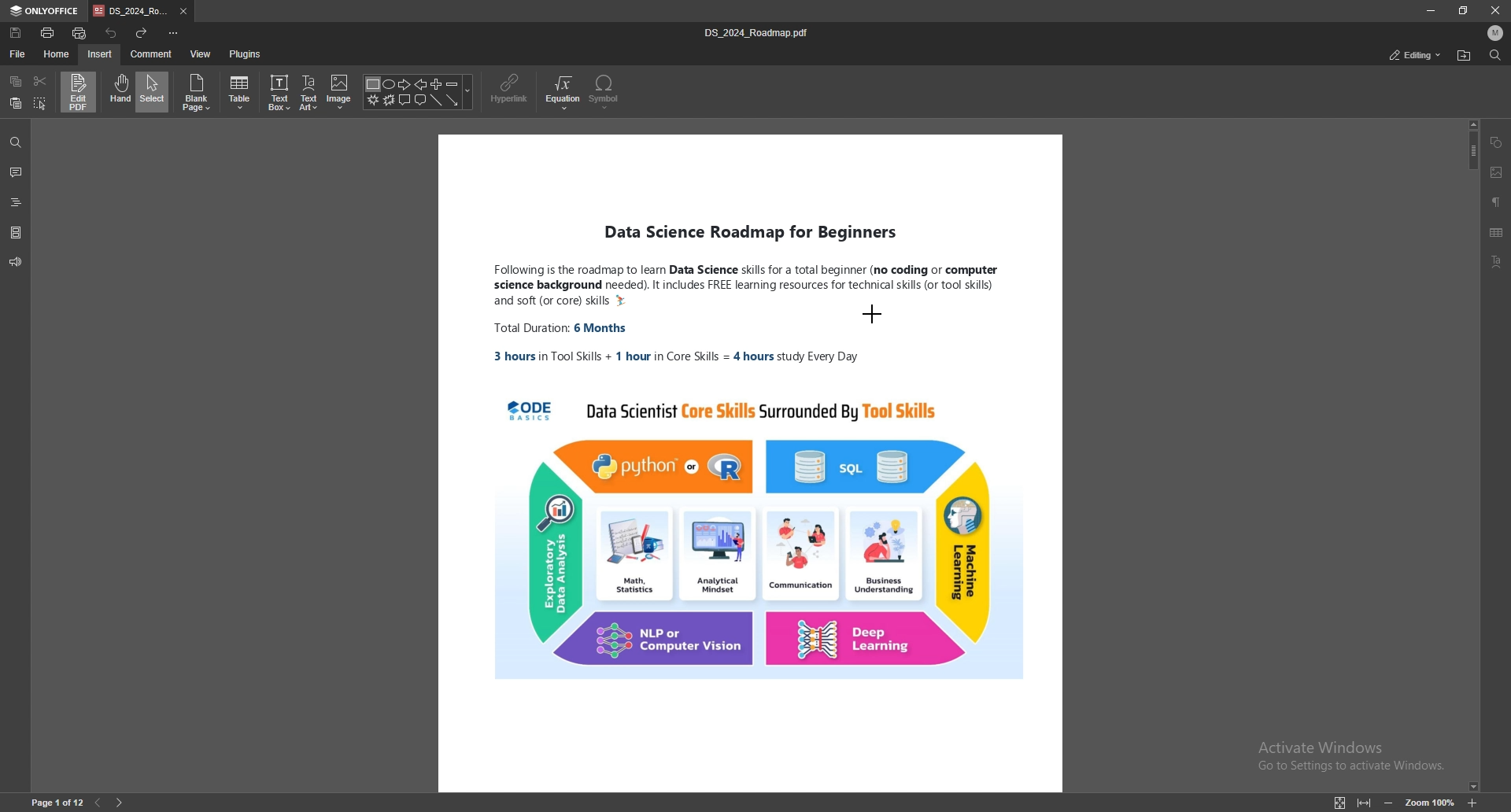 The width and height of the screenshot is (1511, 812). What do you see at coordinates (198, 93) in the screenshot?
I see `blank page` at bounding box center [198, 93].